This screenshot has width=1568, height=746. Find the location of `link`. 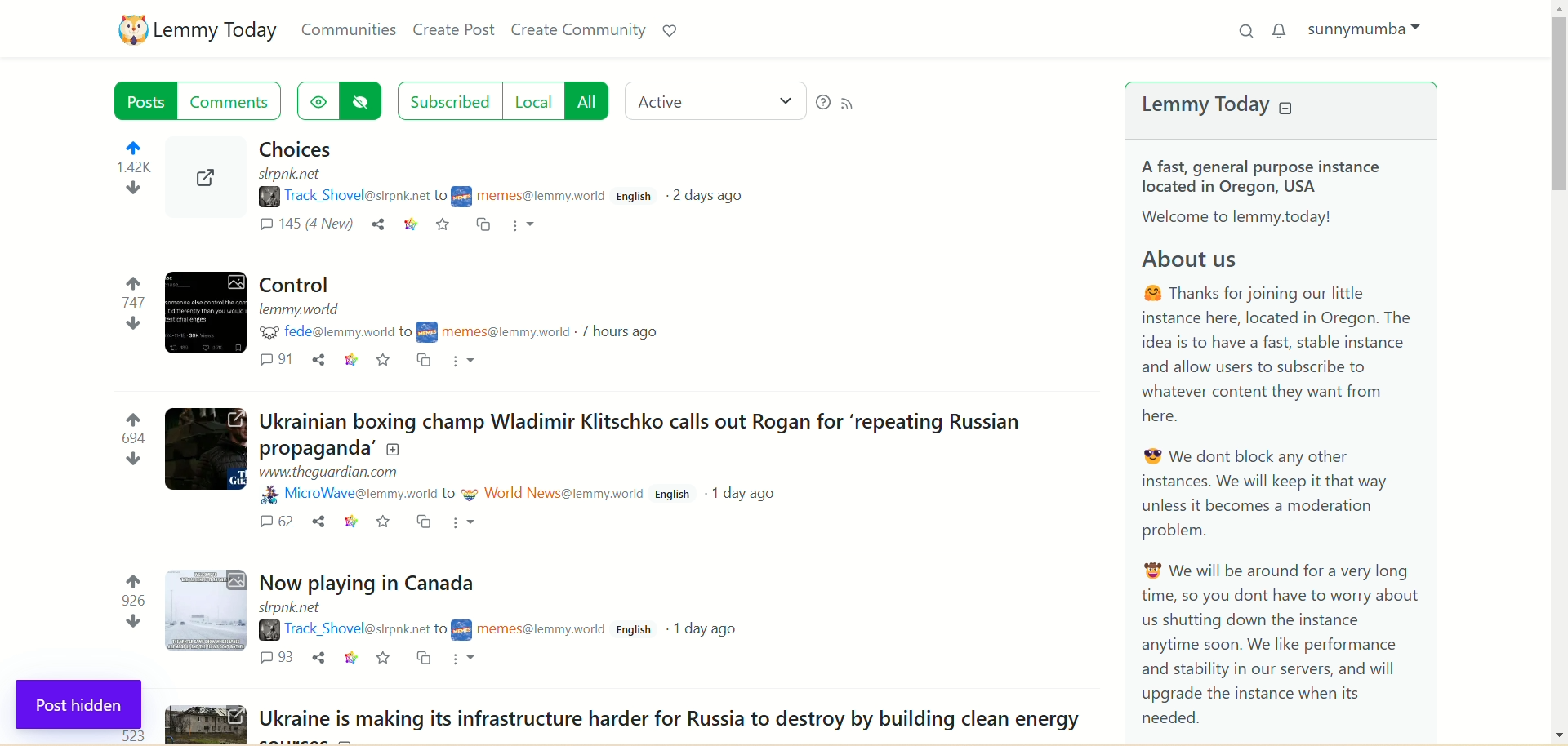

link is located at coordinates (409, 225).